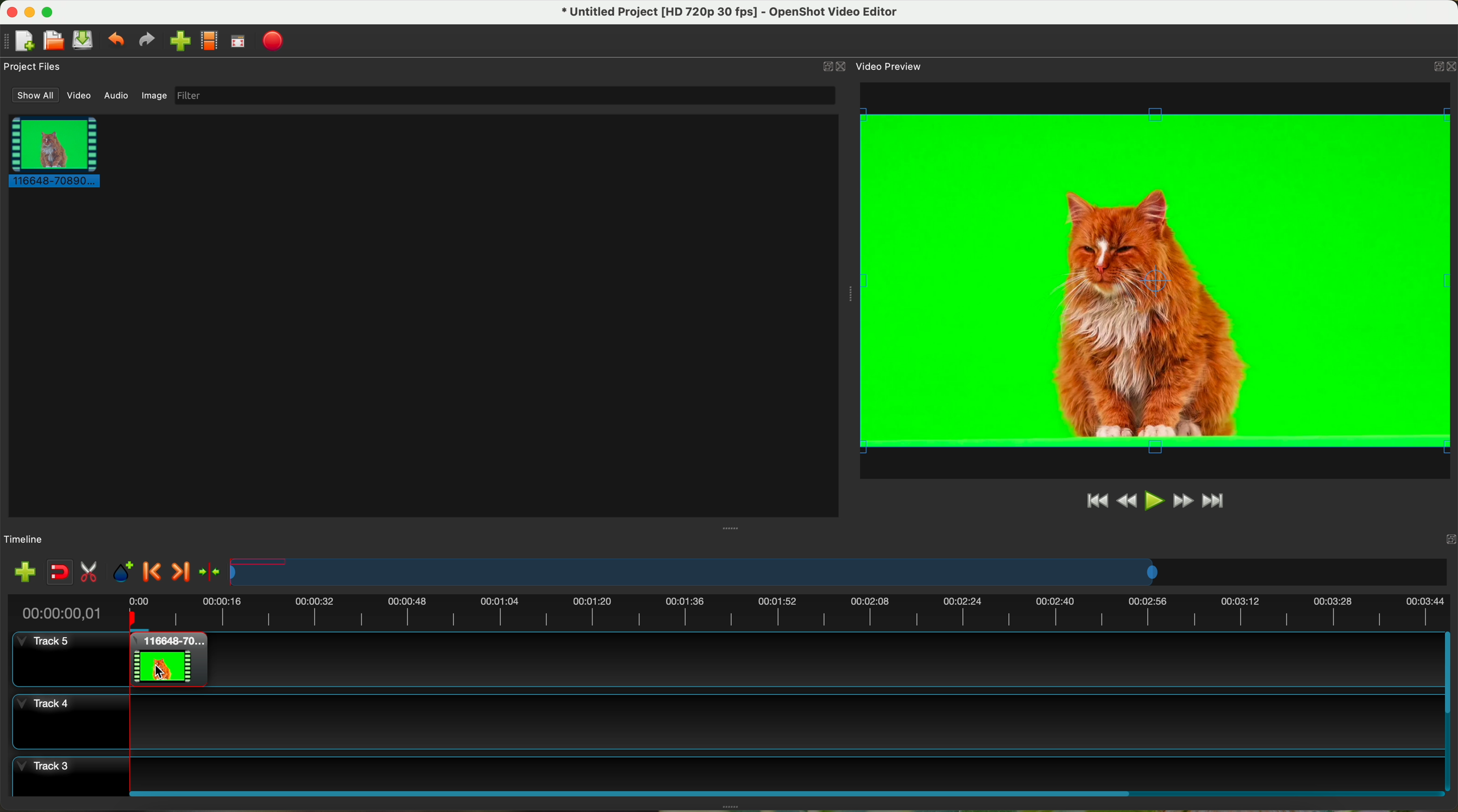  What do you see at coordinates (115, 38) in the screenshot?
I see `undo` at bounding box center [115, 38].